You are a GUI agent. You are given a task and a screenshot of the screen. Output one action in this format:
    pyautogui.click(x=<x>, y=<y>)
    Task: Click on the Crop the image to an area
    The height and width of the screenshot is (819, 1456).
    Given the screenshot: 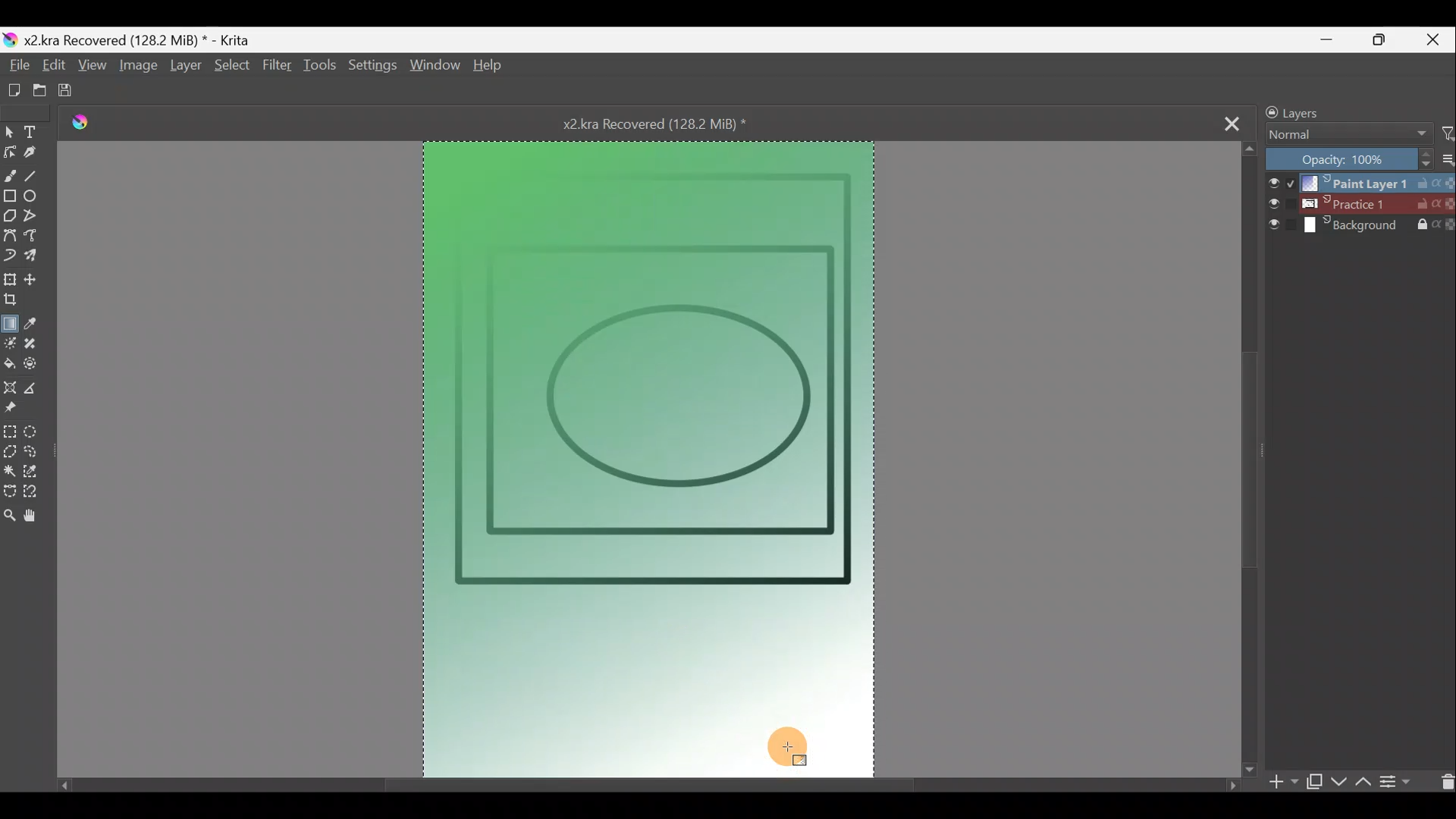 What is the action you would take?
    pyautogui.click(x=14, y=302)
    